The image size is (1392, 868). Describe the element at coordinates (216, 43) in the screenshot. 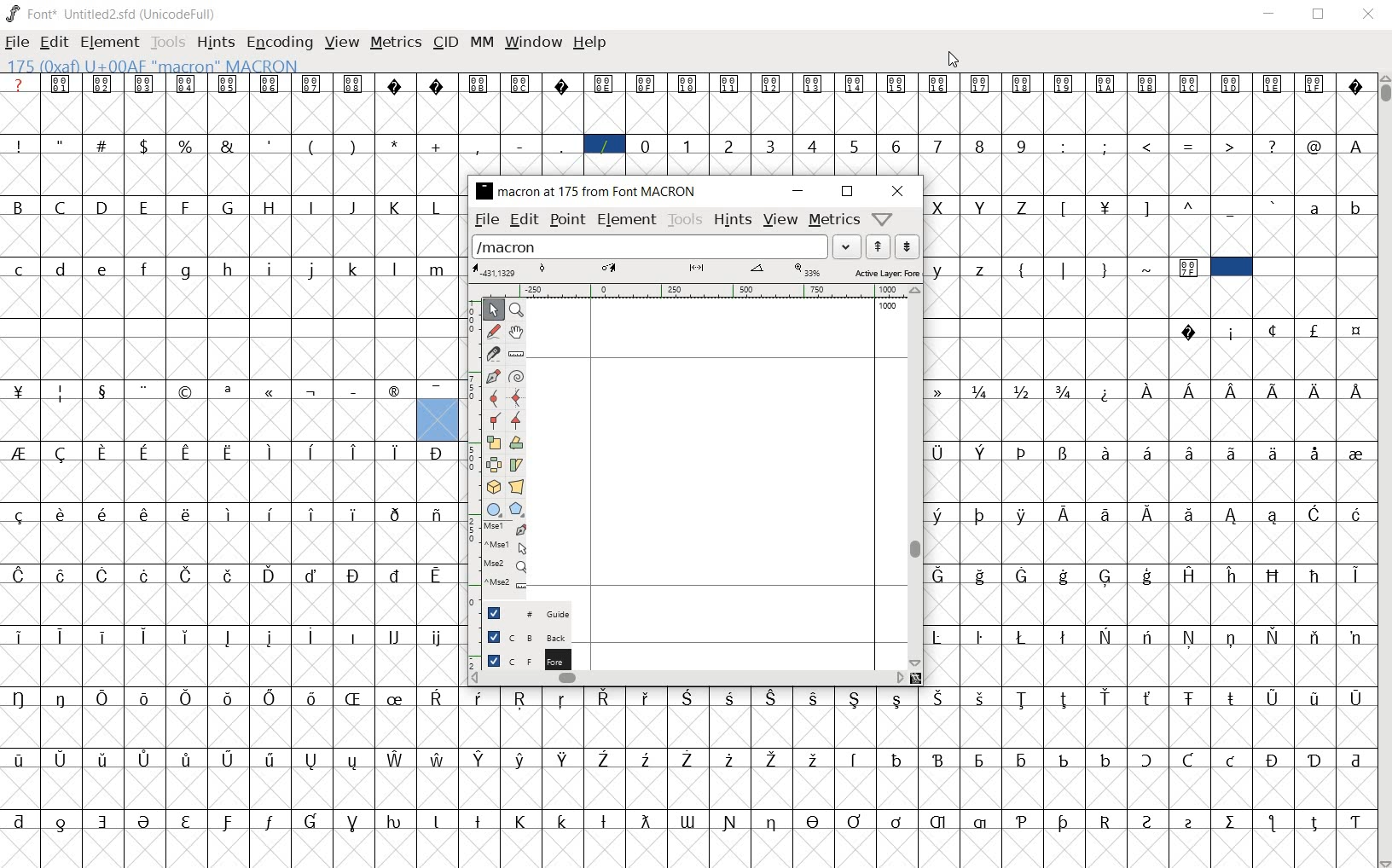

I see `hints` at that location.